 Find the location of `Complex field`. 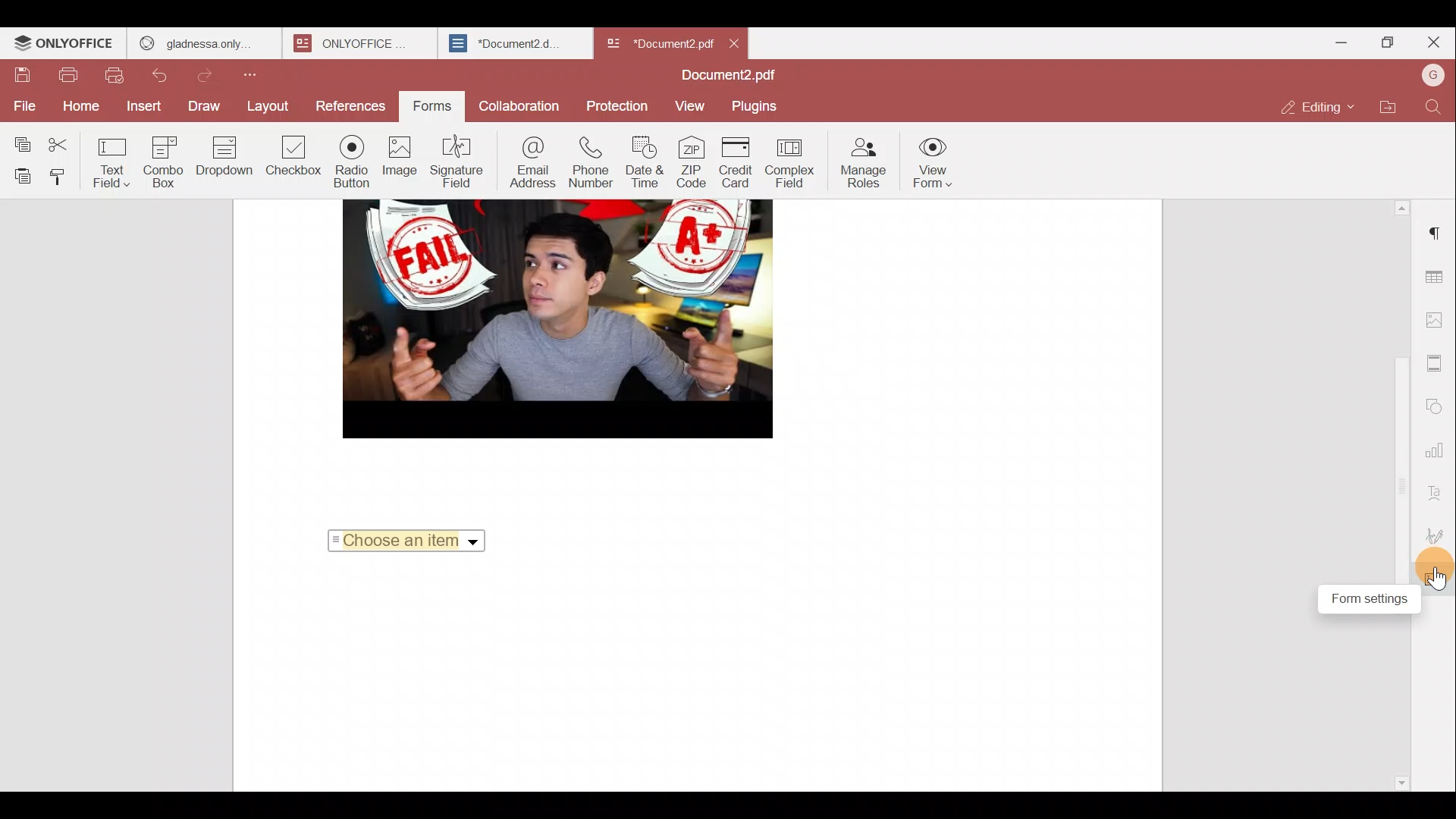

Complex field is located at coordinates (792, 165).